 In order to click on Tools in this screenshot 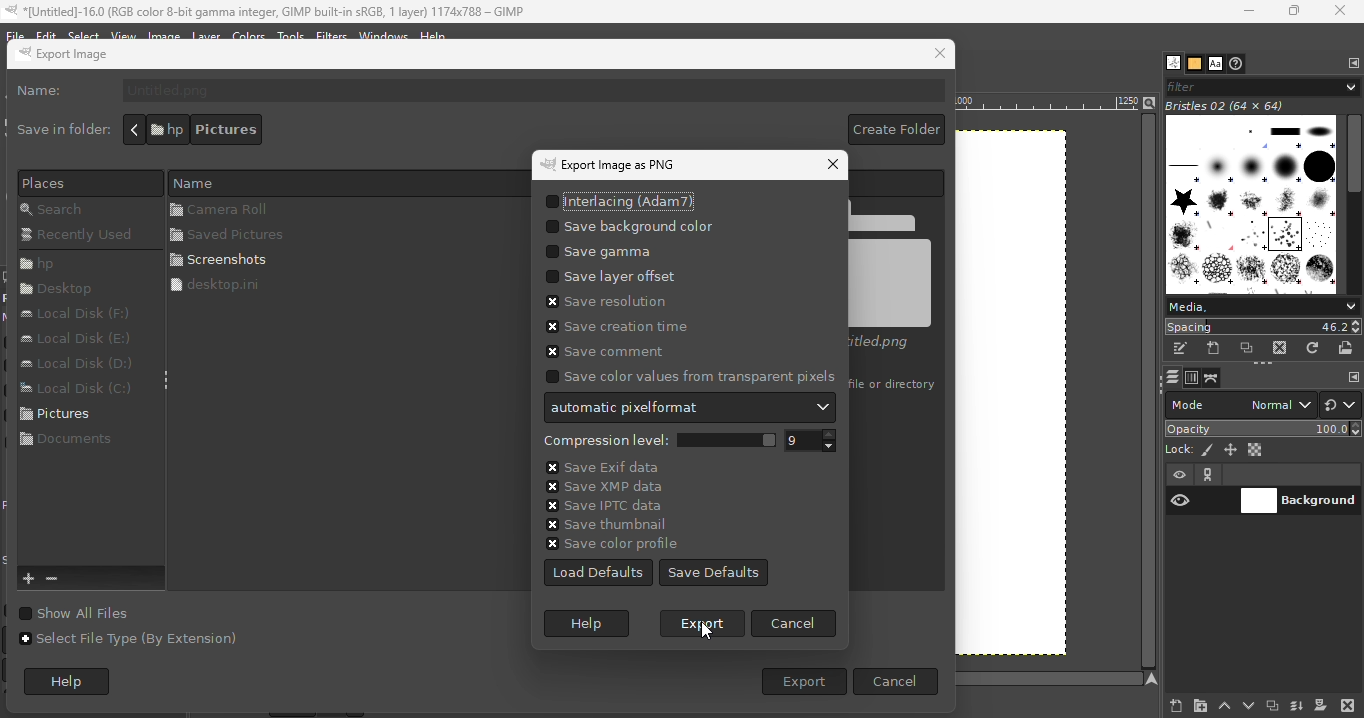, I will do `click(292, 34)`.